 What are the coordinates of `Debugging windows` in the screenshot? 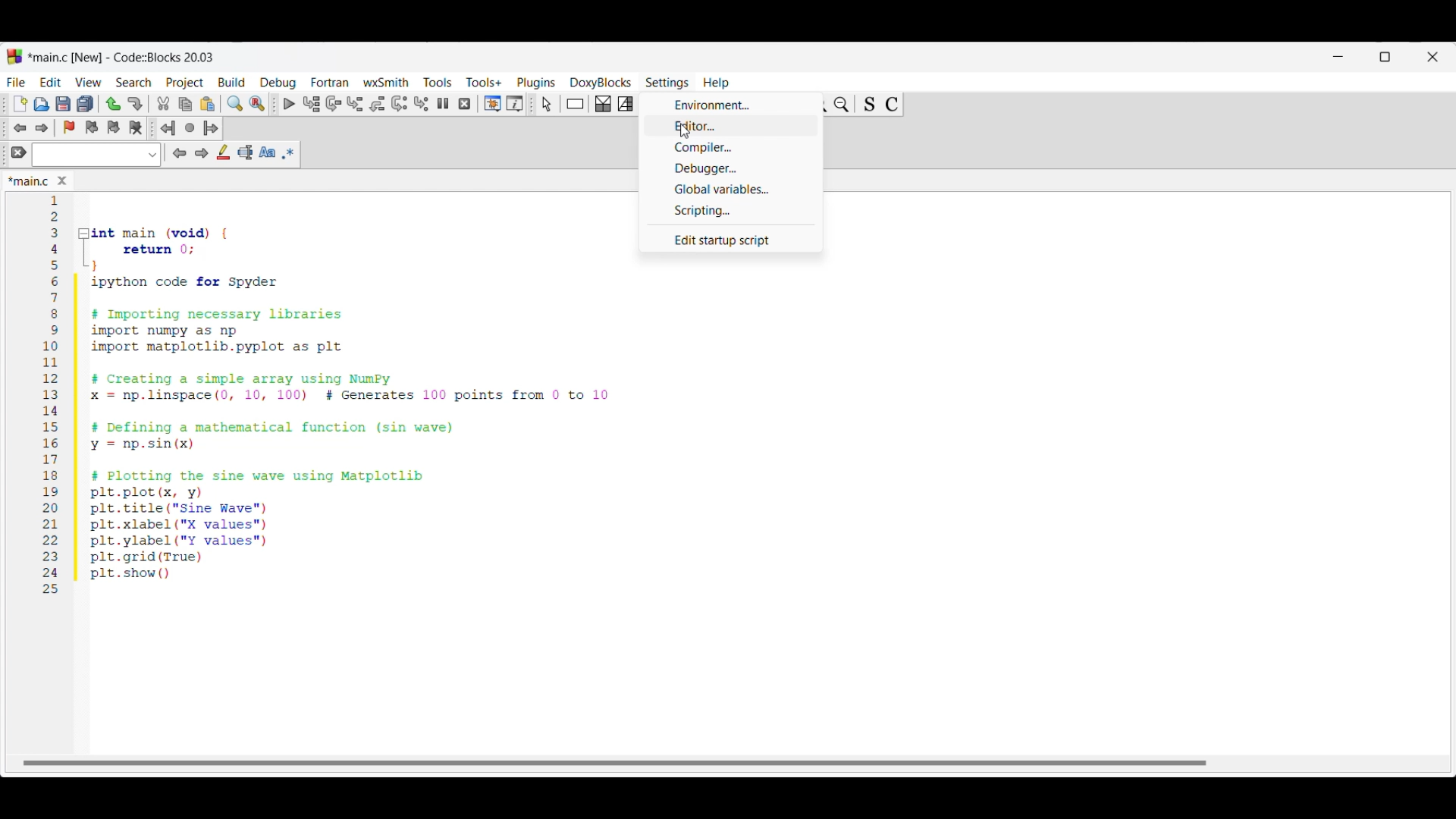 It's located at (493, 104).